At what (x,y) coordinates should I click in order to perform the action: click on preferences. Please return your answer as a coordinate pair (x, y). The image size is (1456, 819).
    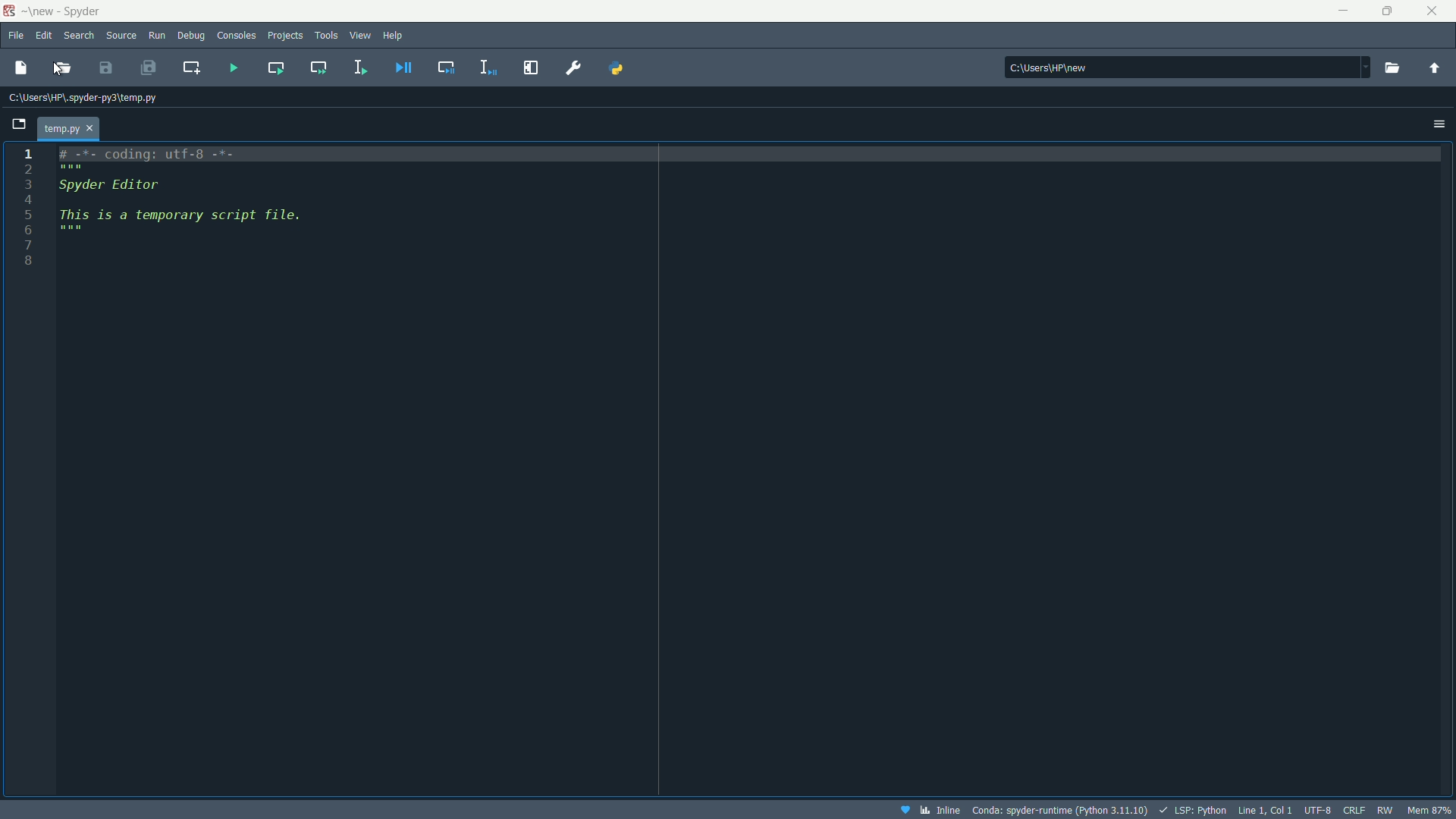
    Looking at the image, I should click on (573, 68).